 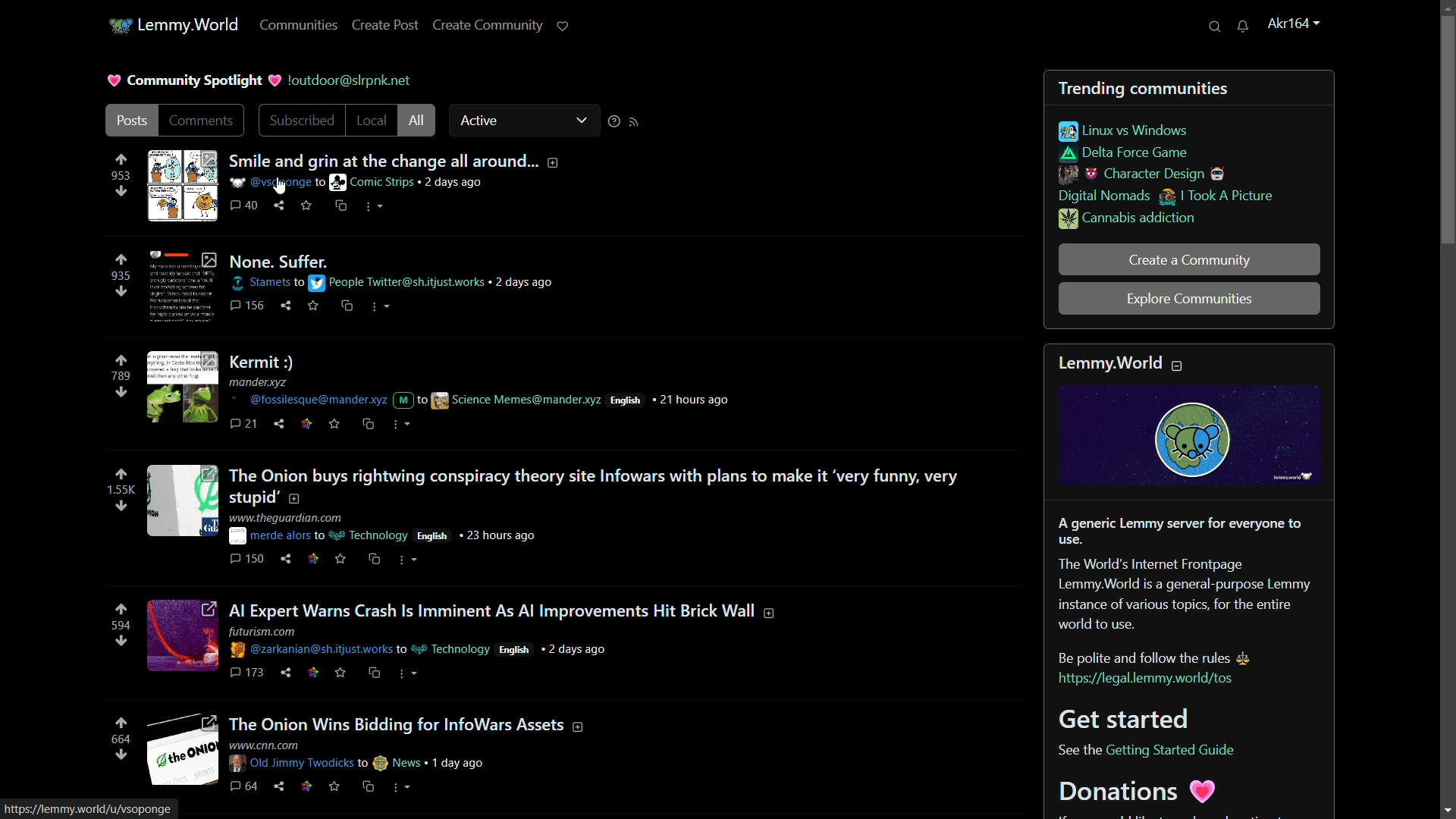 I want to click on upvote, so click(x=121, y=259).